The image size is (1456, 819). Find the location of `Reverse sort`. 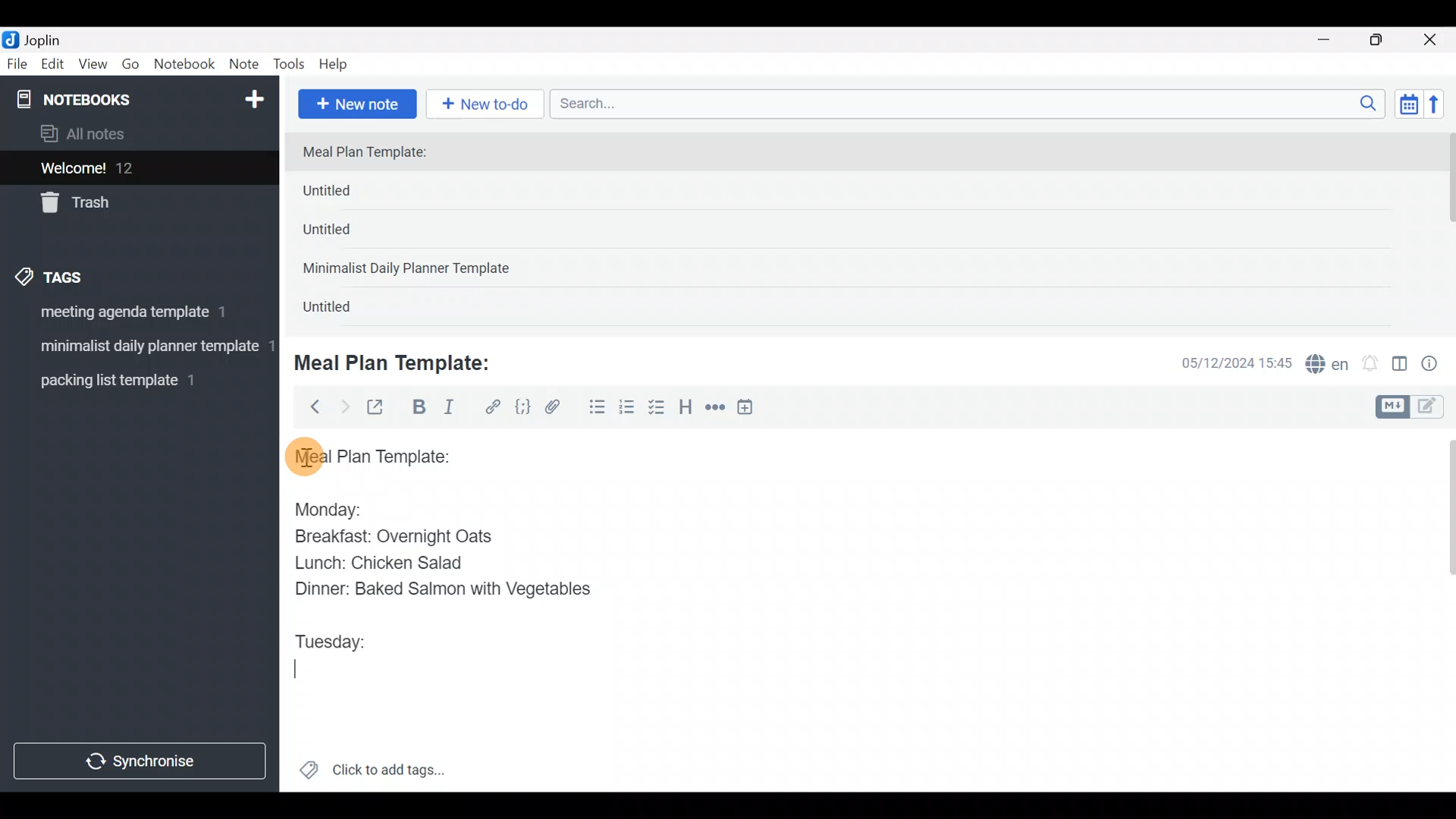

Reverse sort is located at coordinates (1442, 108).